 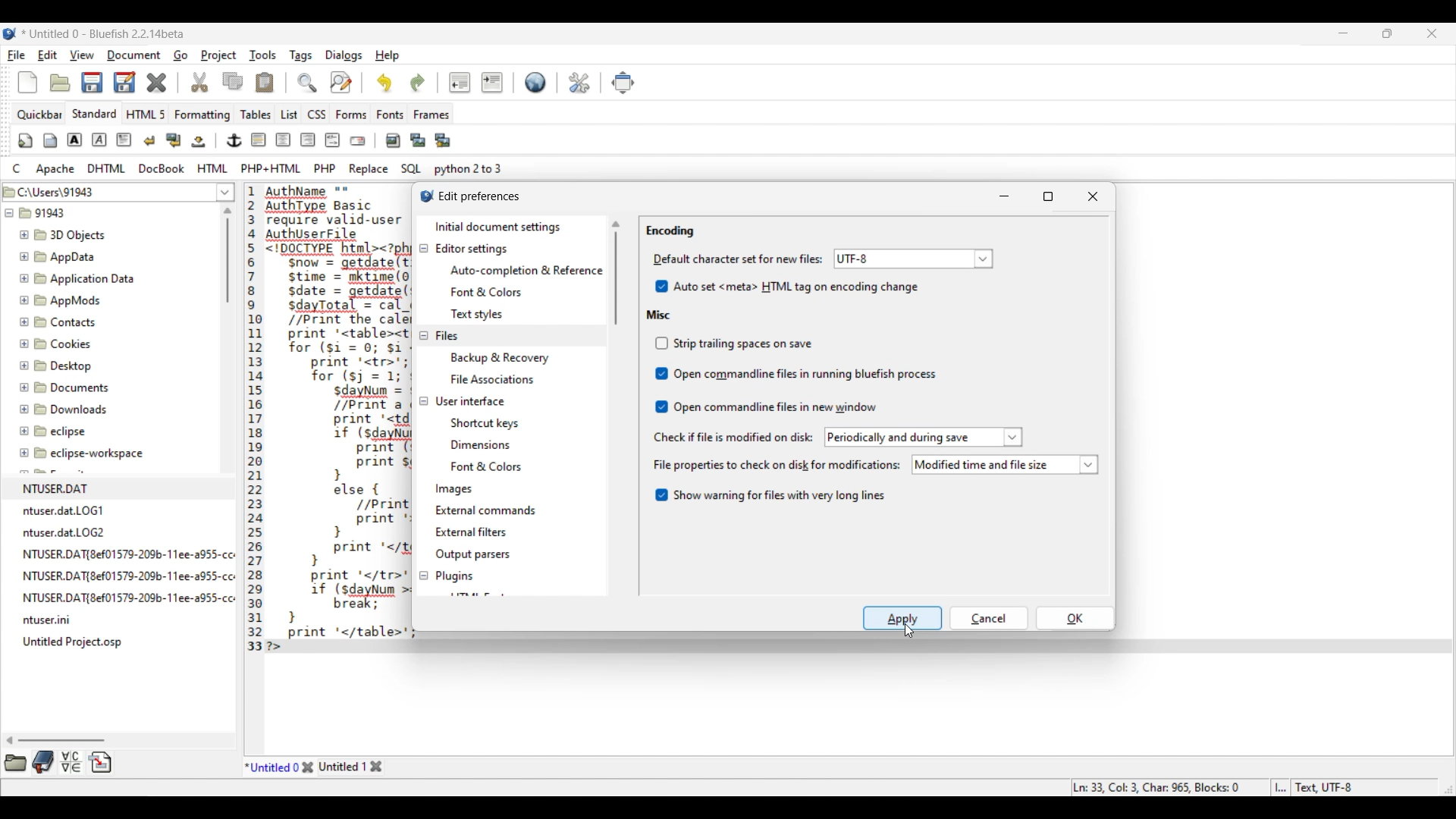 What do you see at coordinates (272, 766) in the screenshot?
I see `Current tab highlighted` at bounding box center [272, 766].